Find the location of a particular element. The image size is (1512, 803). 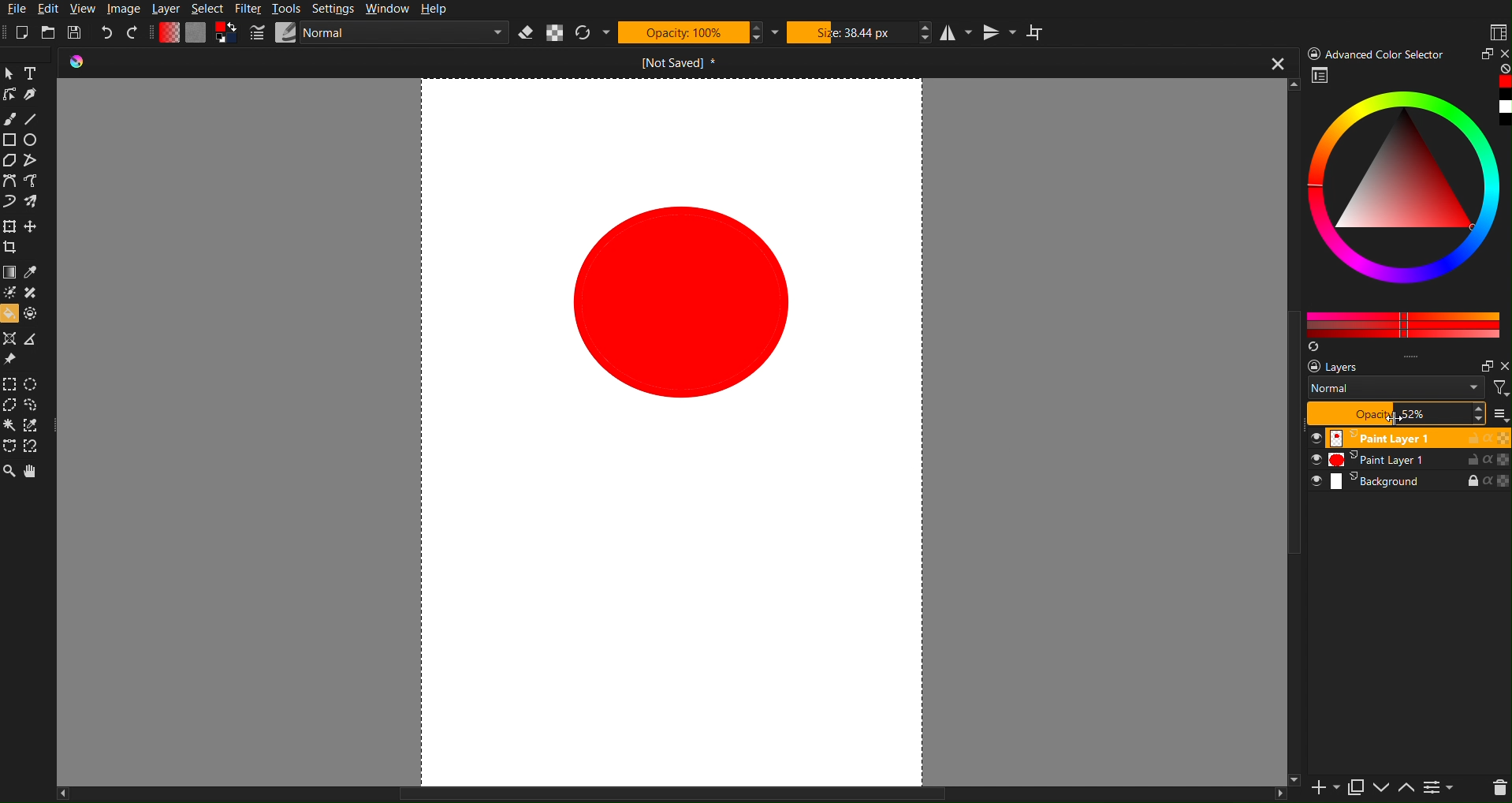

Advance color Picker is located at coordinates (1377, 54).